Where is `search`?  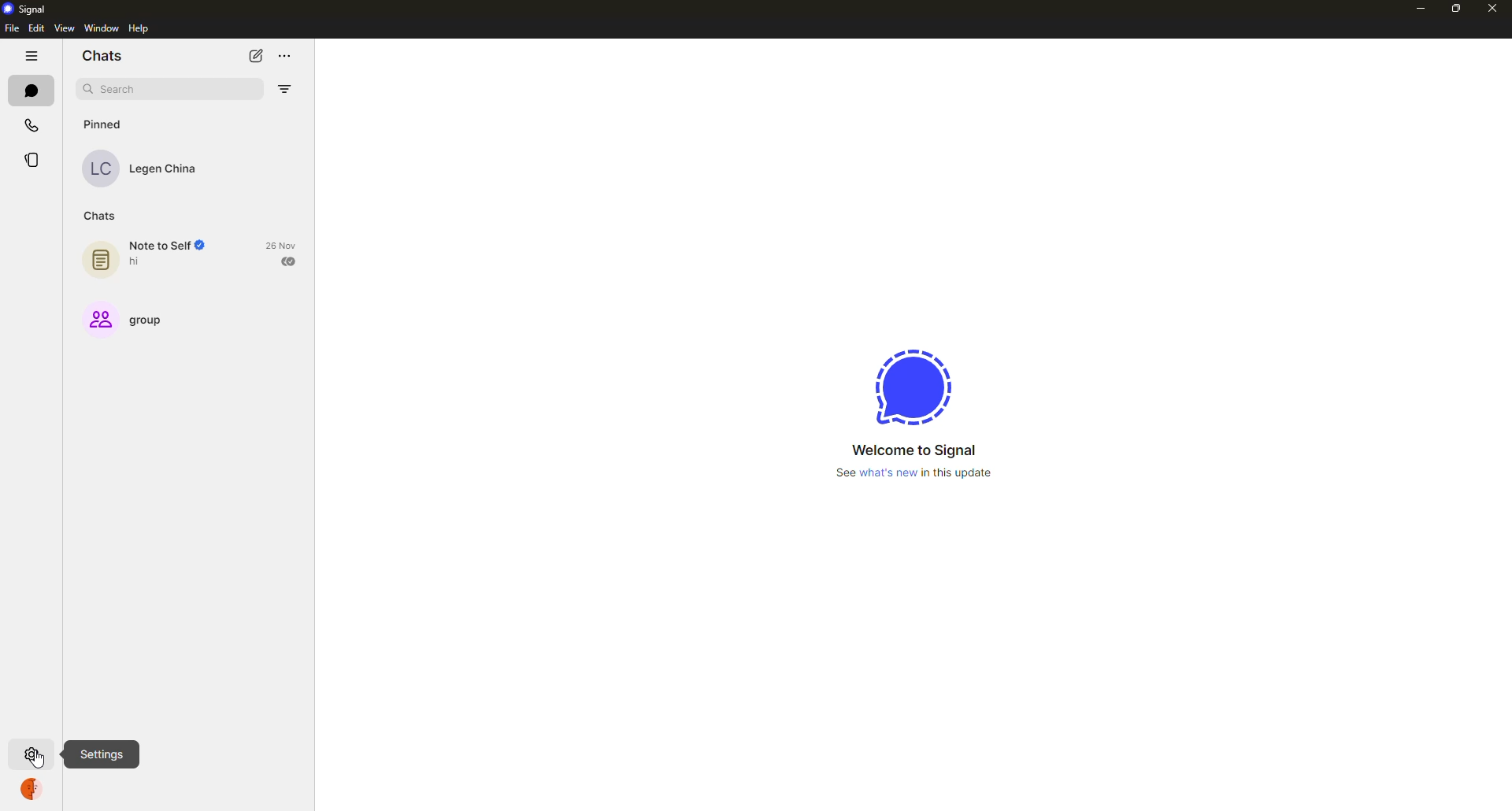
search is located at coordinates (120, 89).